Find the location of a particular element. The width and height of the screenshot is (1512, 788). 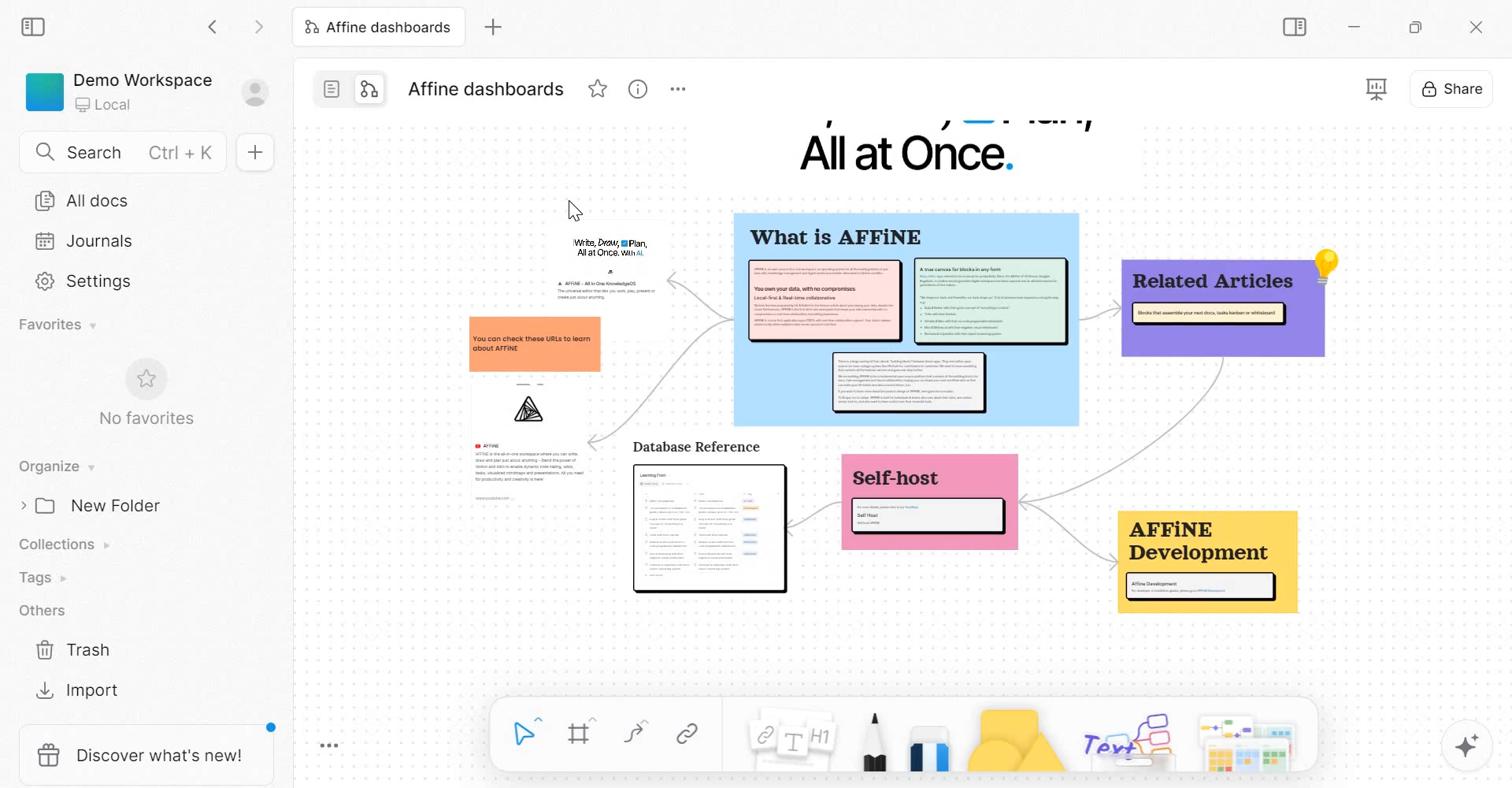

Eraser is located at coordinates (930, 744).